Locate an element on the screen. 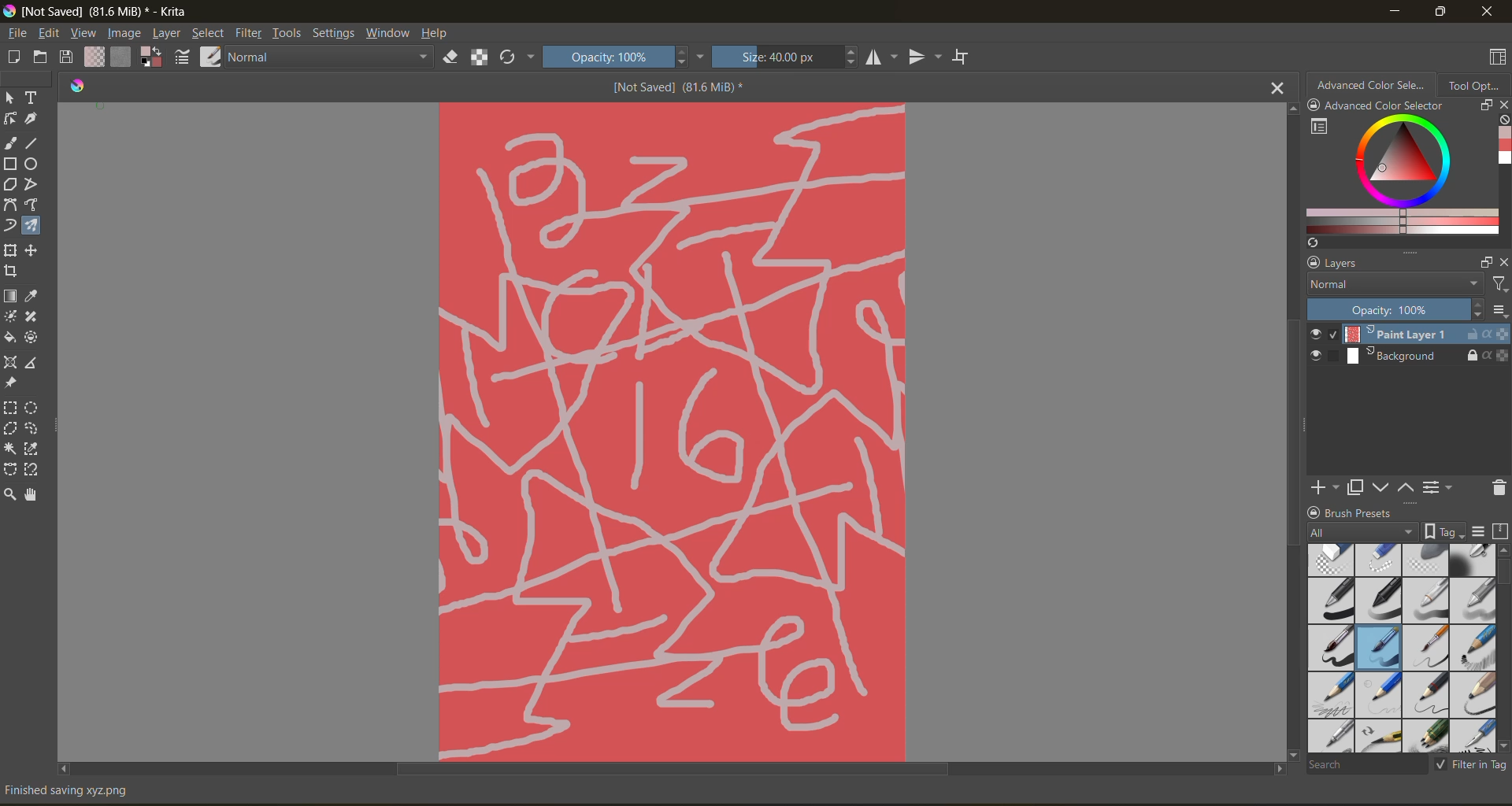  open is located at coordinates (43, 57).